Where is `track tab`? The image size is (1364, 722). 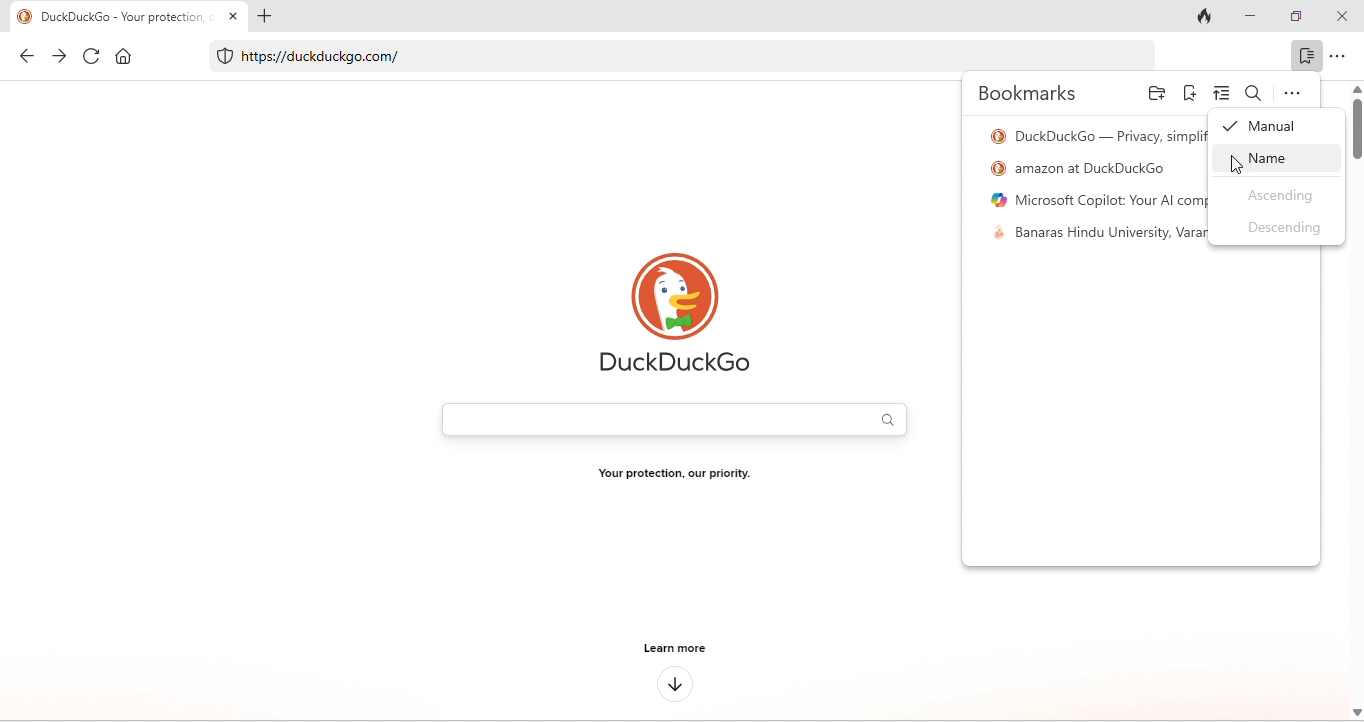
track tab is located at coordinates (1205, 18).